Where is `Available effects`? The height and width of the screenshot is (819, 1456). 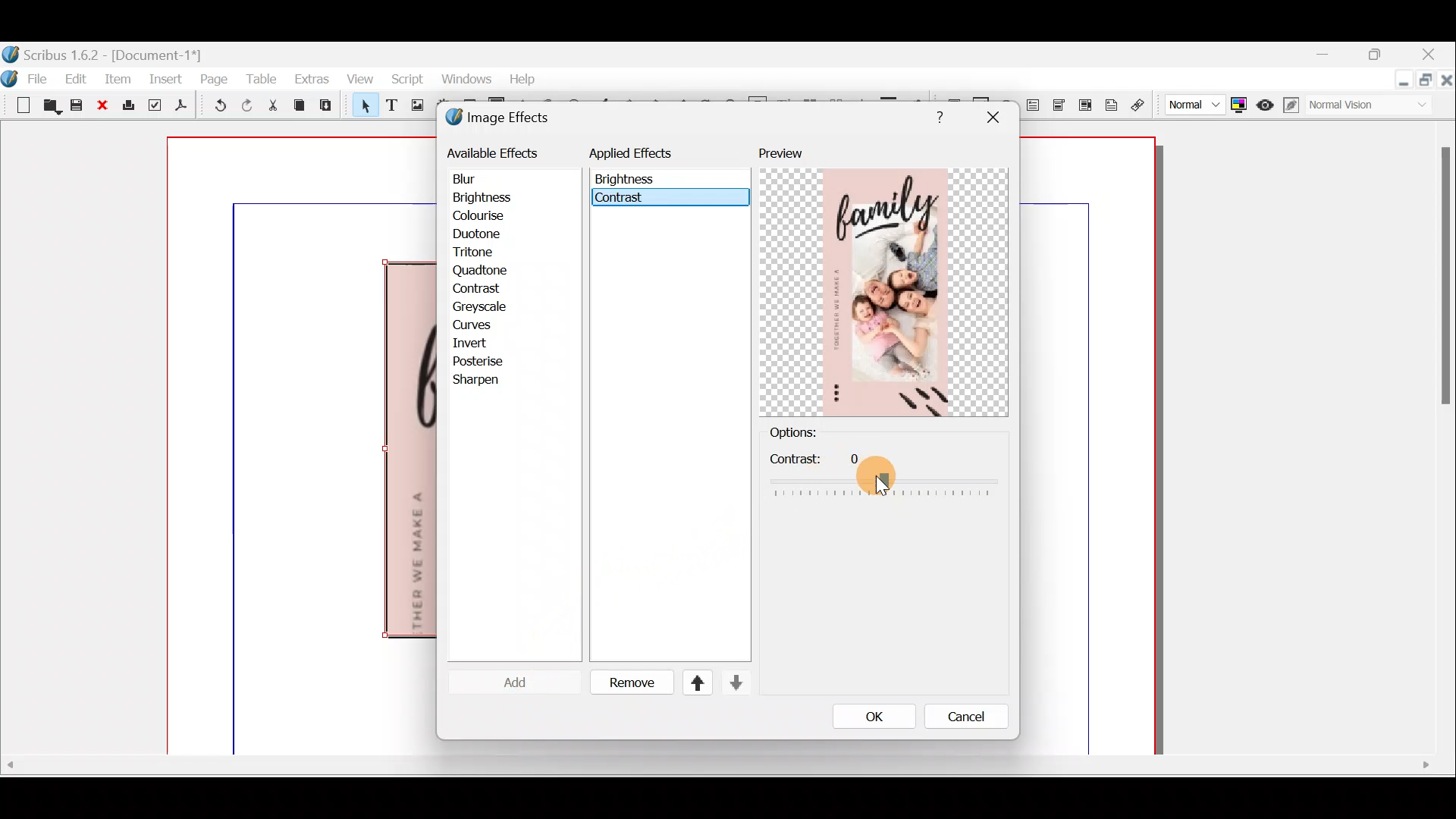 Available effects is located at coordinates (495, 152).